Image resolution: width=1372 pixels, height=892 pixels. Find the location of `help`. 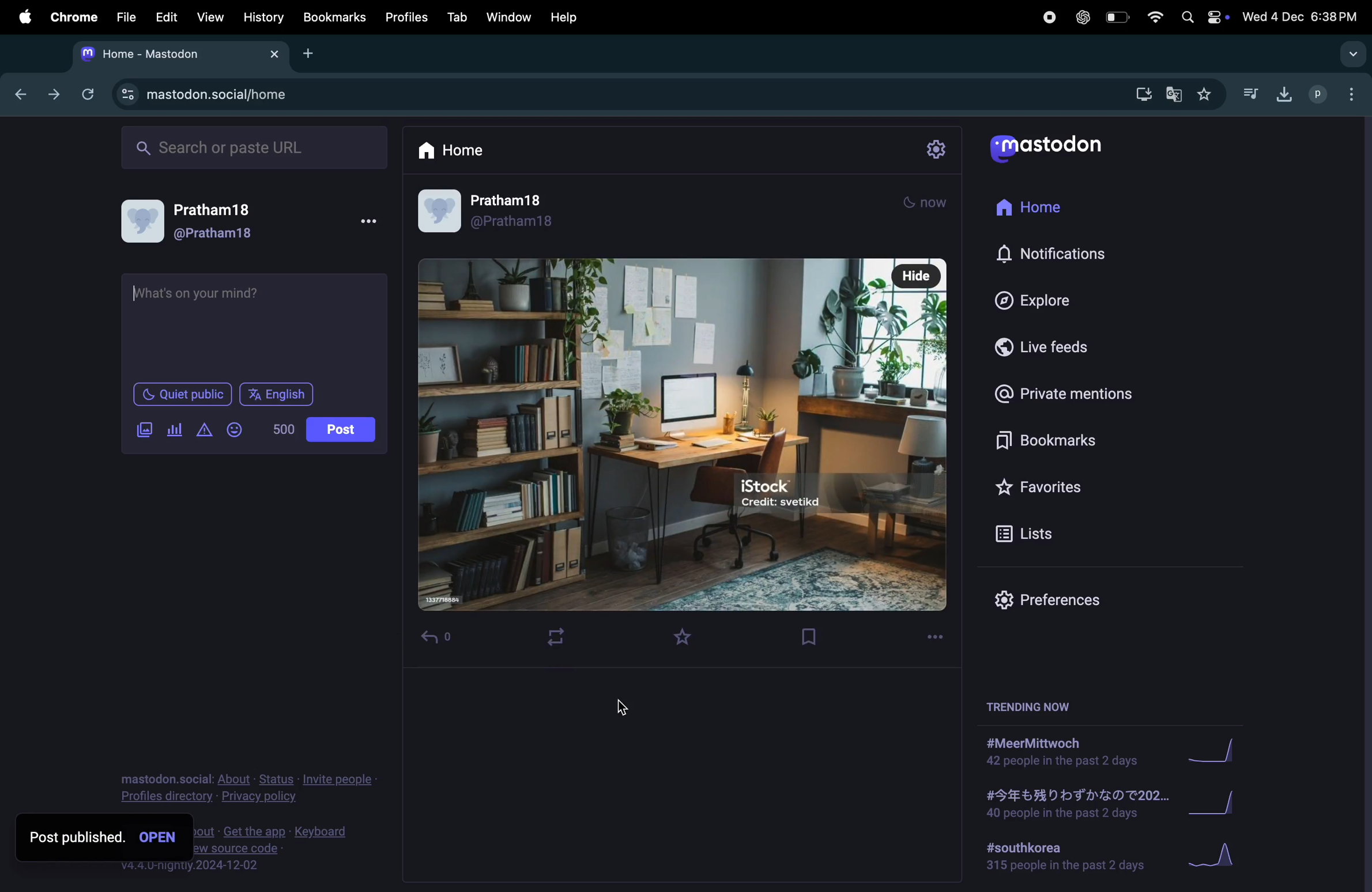

help is located at coordinates (566, 14).